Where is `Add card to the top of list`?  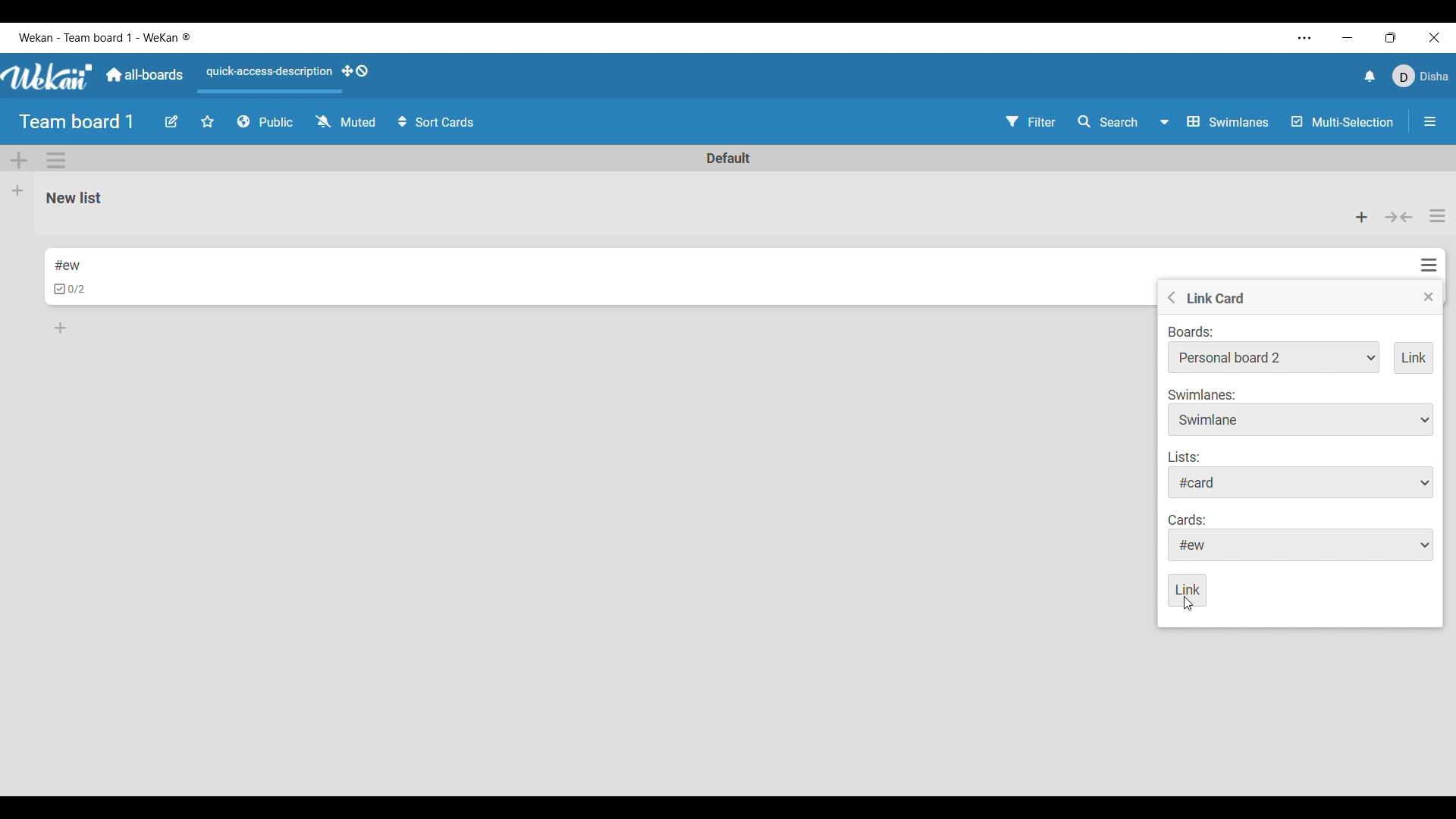
Add card to the top of list is located at coordinates (1362, 217).